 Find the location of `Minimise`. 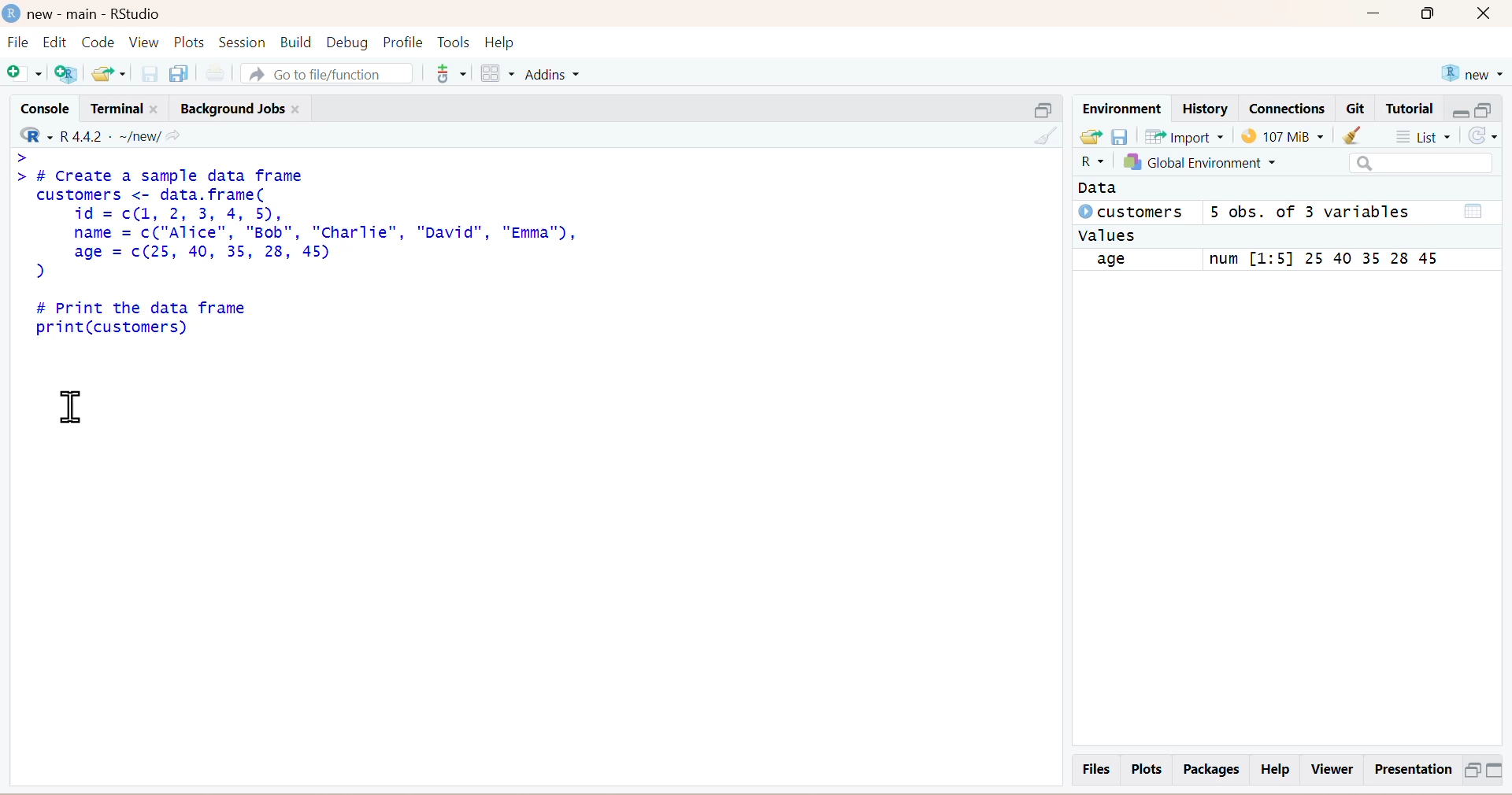

Minimise is located at coordinates (1038, 108).